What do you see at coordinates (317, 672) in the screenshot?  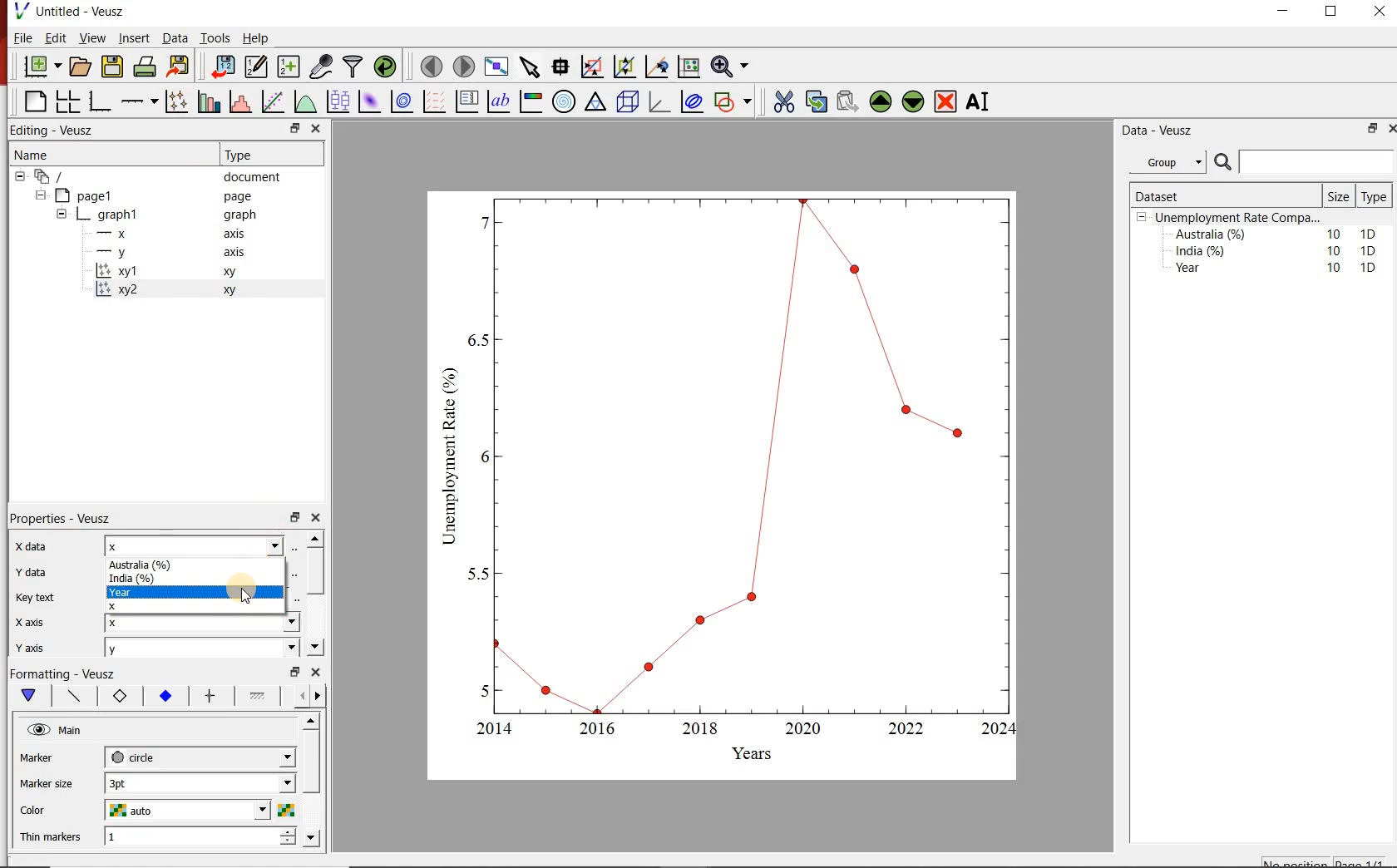 I see `close` at bounding box center [317, 672].